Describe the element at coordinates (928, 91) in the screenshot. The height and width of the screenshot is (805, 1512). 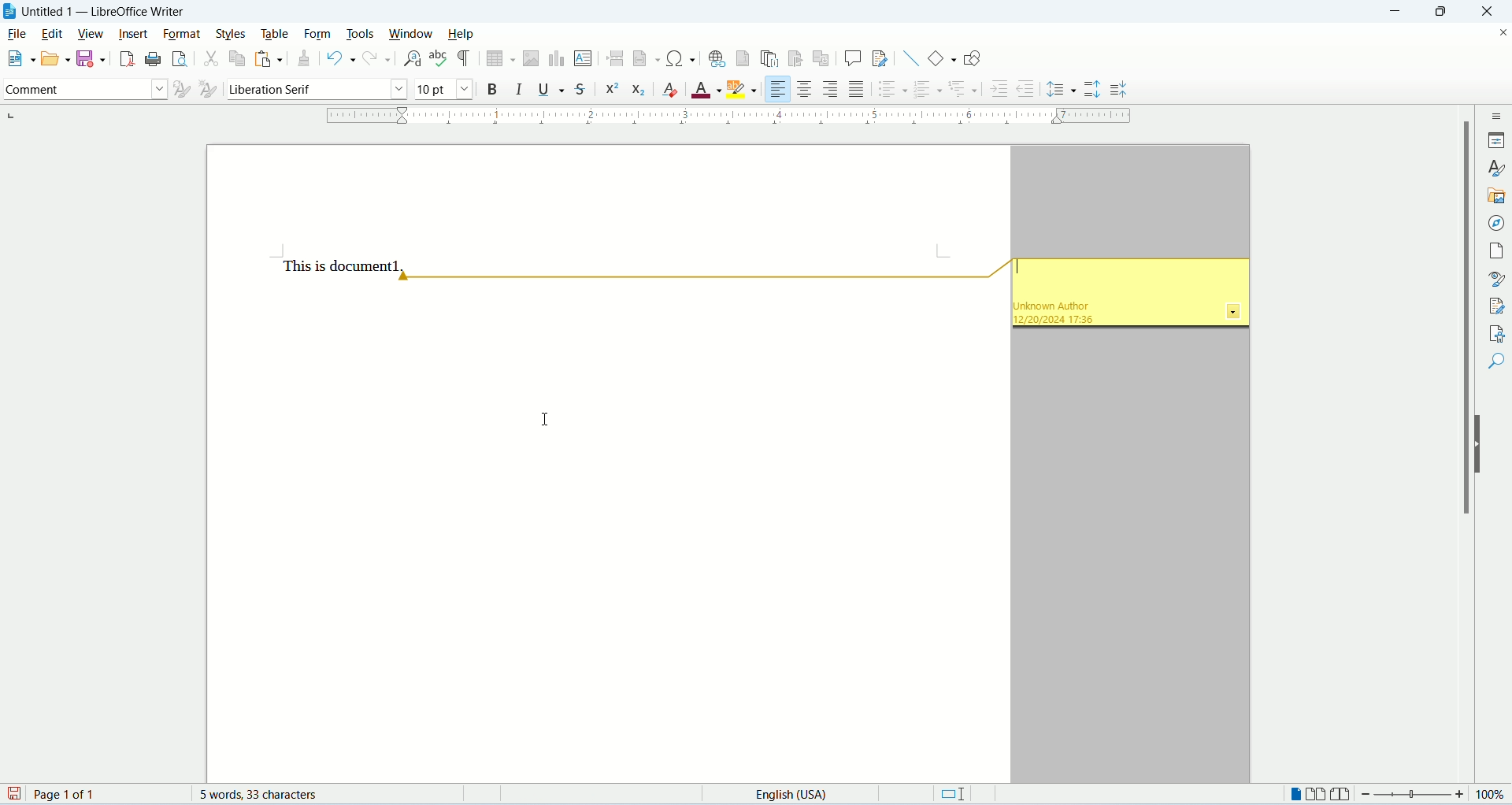
I see `ordered list` at that location.